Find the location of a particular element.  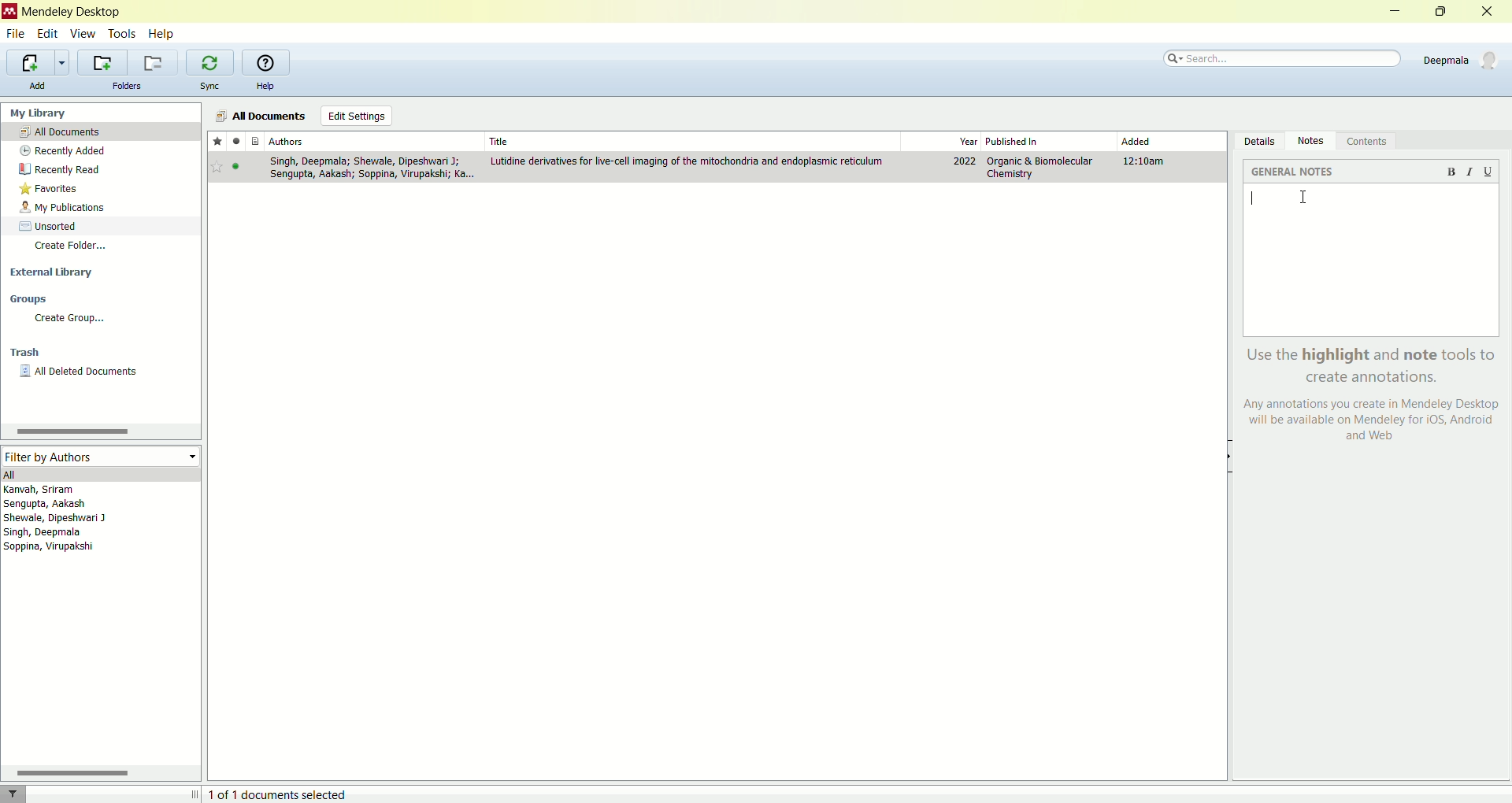

details is located at coordinates (1256, 140).